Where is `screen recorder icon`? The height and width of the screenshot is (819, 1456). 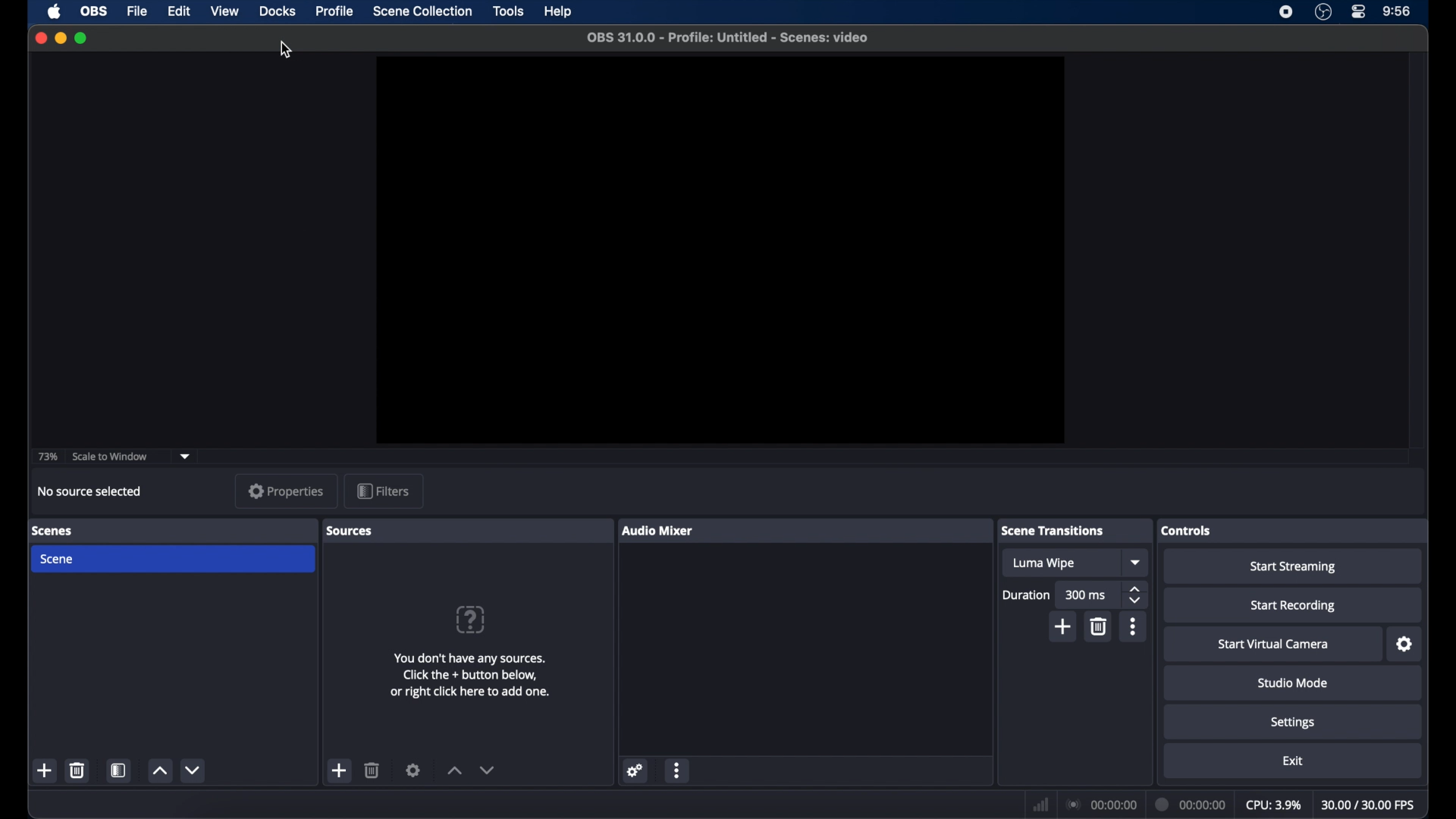 screen recorder icon is located at coordinates (1285, 11).